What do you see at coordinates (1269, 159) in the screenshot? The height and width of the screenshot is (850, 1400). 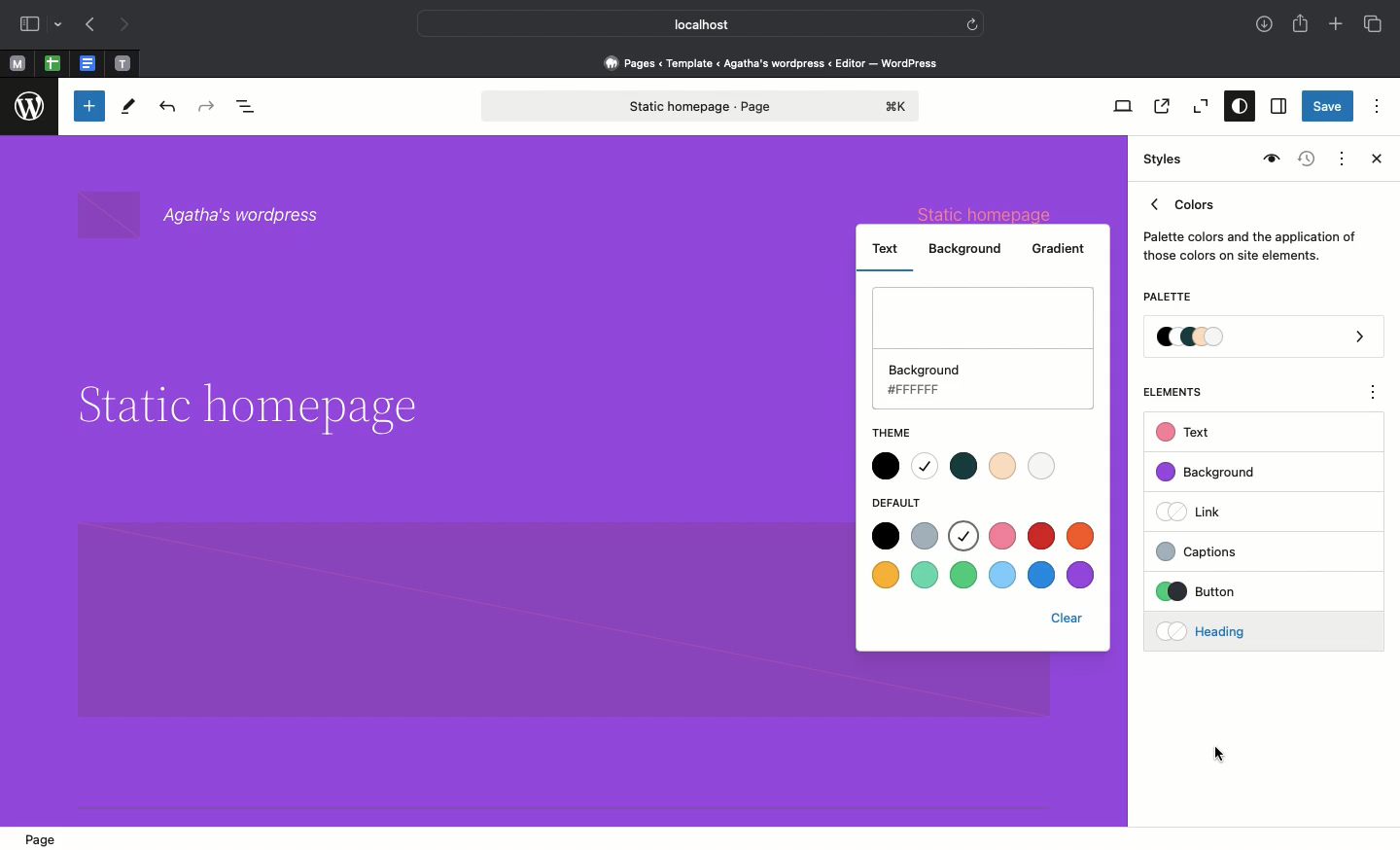 I see `Style book` at bounding box center [1269, 159].